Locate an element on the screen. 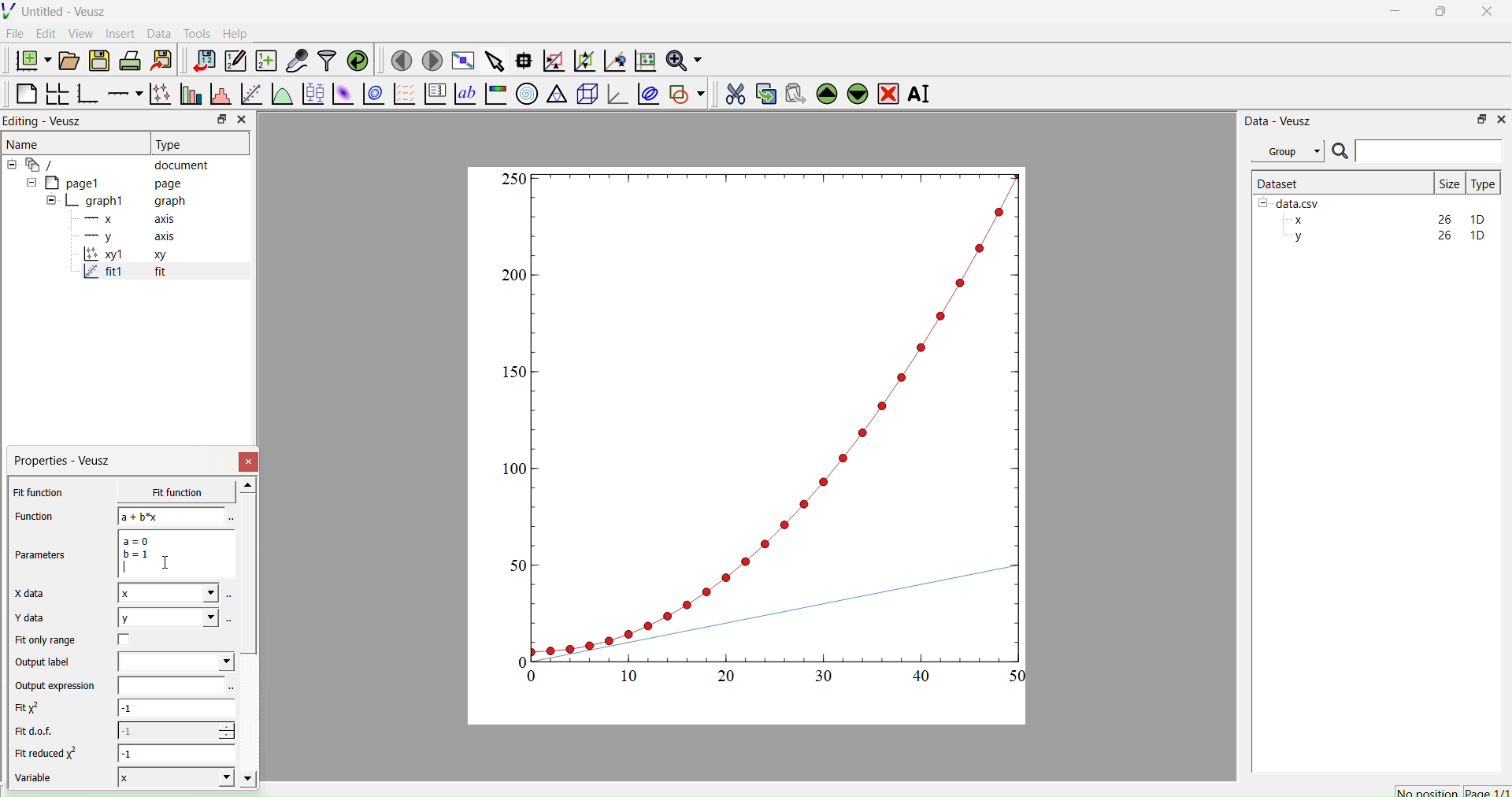 The width and height of the screenshot is (1512, 797). Zoom functions menu is located at coordinates (683, 58).